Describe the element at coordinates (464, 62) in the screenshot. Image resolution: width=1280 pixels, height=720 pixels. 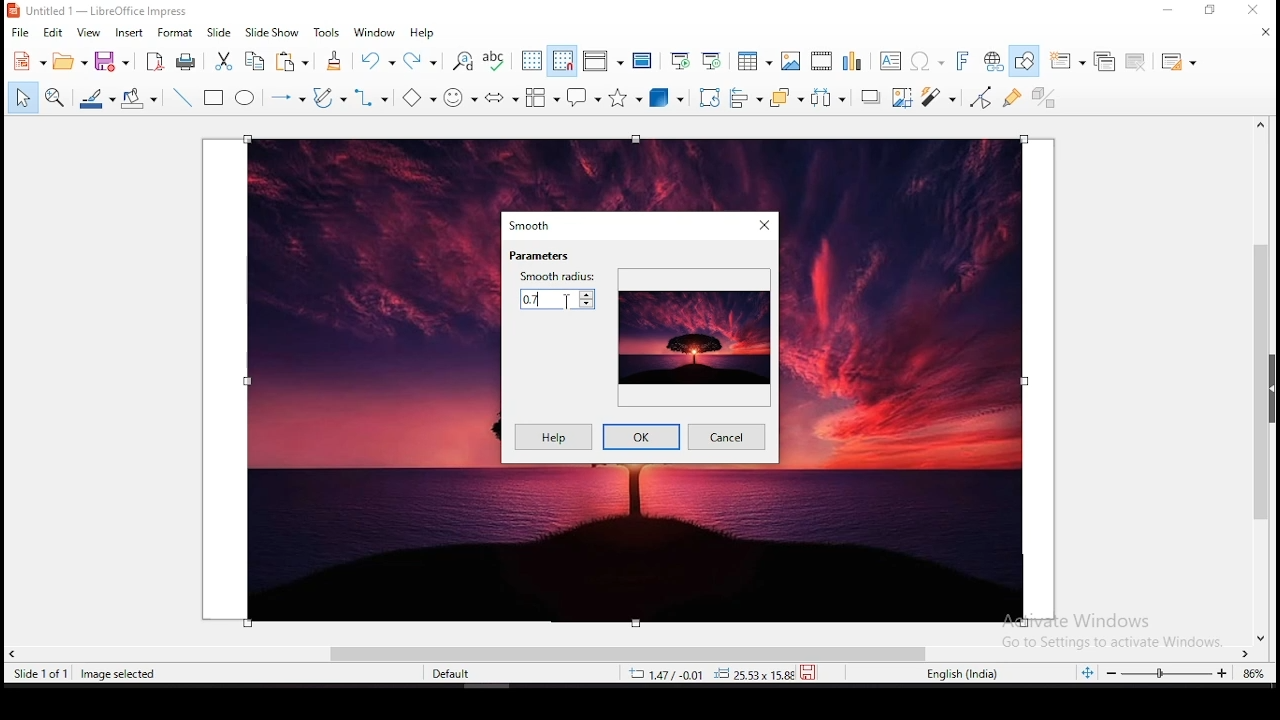
I see `find and replace` at that location.